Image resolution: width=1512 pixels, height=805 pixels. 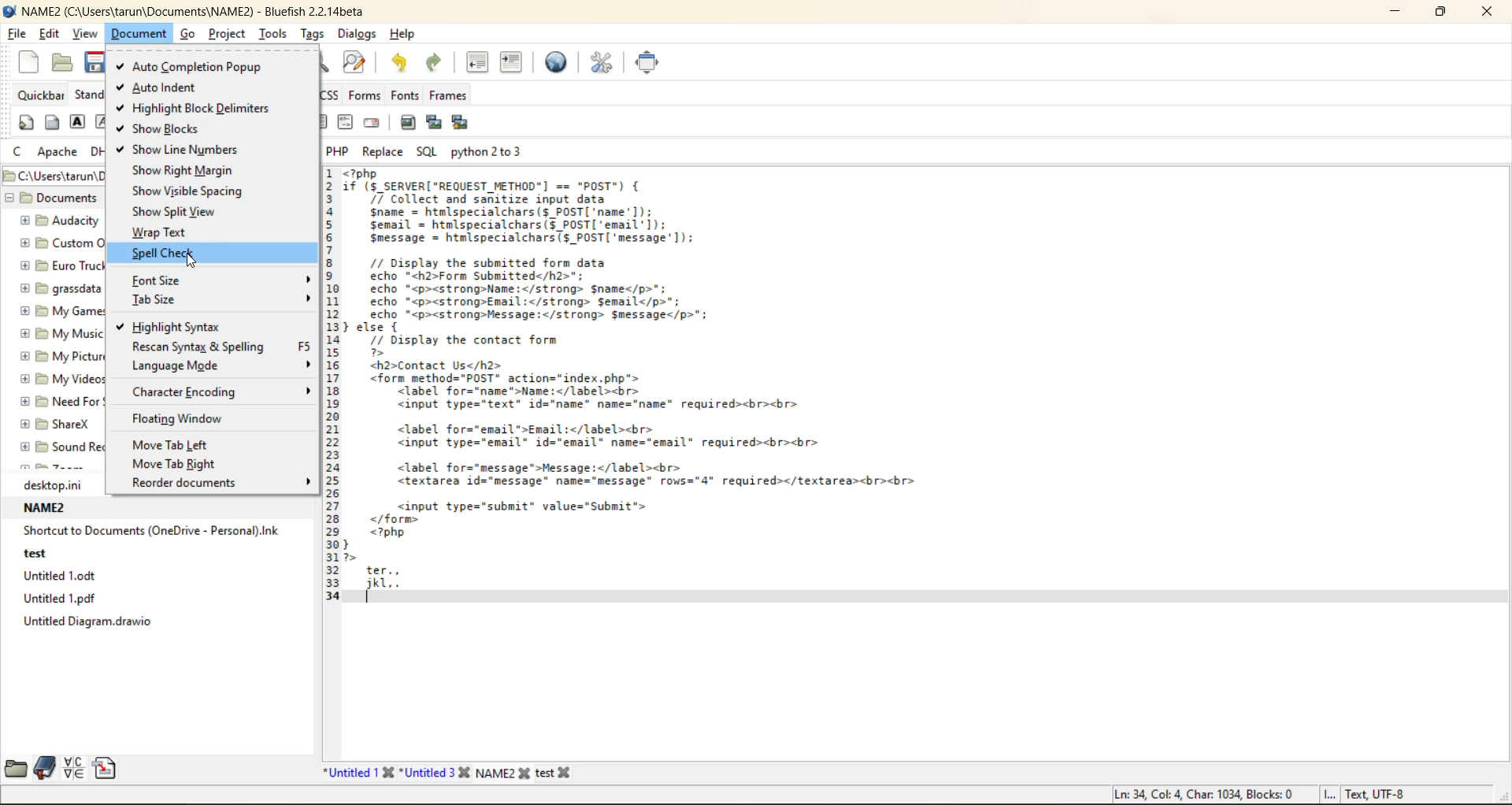 I want to click on wrap text, so click(x=166, y=233).